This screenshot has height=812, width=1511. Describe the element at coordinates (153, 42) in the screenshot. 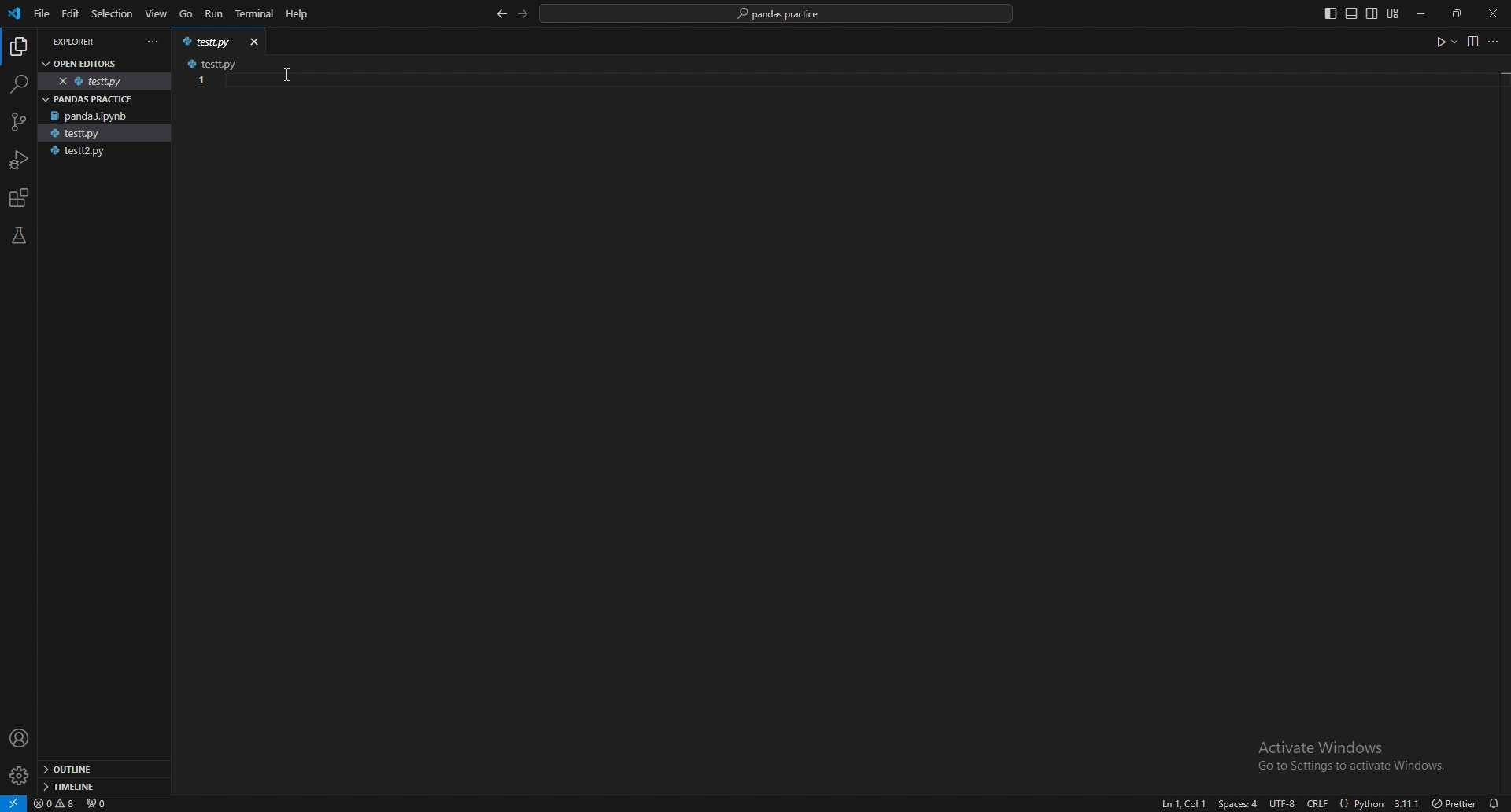

I see `more actions` at that location.